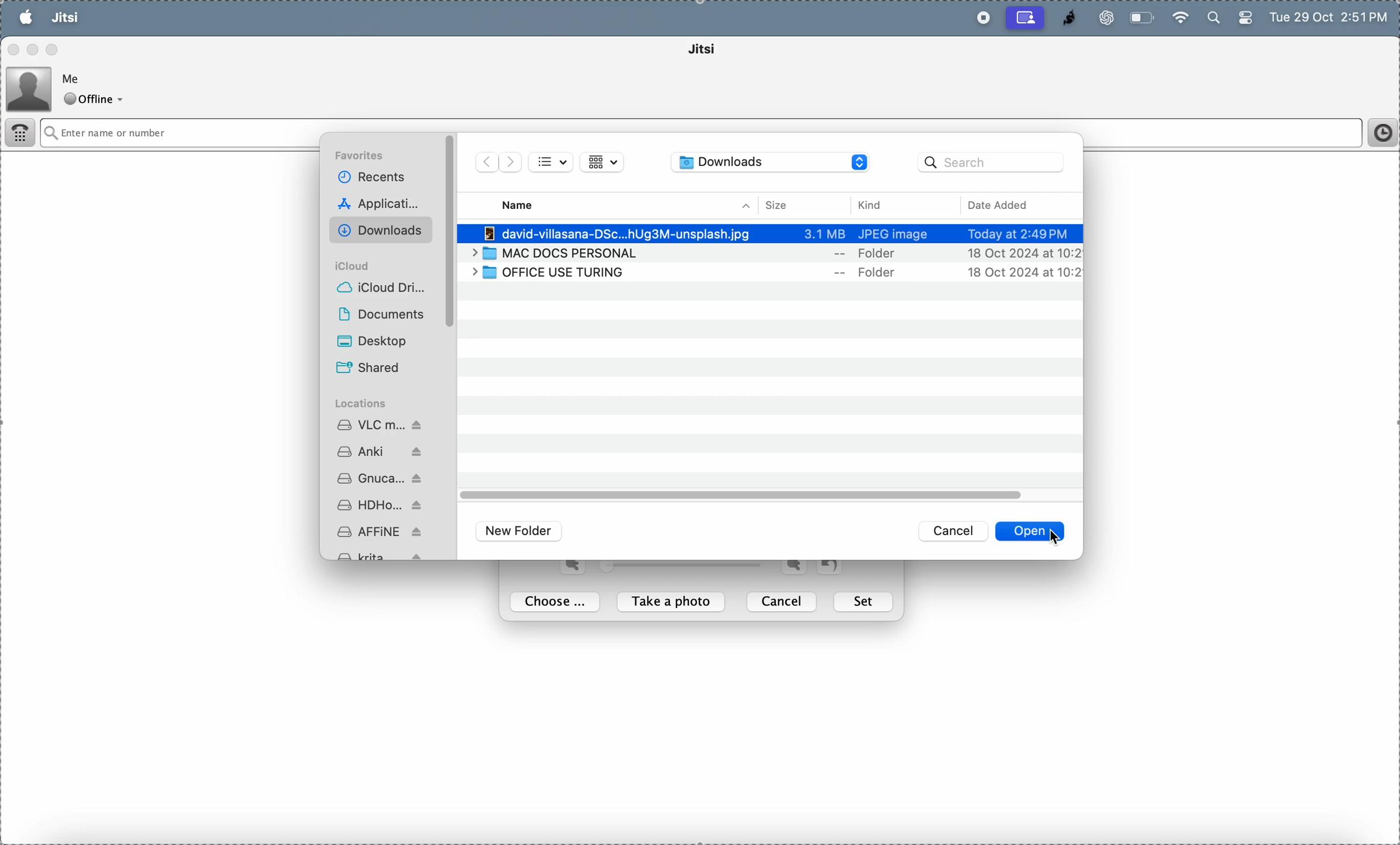 Image resolution: width=1400 pixels, height=845 pixels. What do you see at coordinates (364, 157) in the screenshot?
I see `favourites` at bounding box center [364, 157].